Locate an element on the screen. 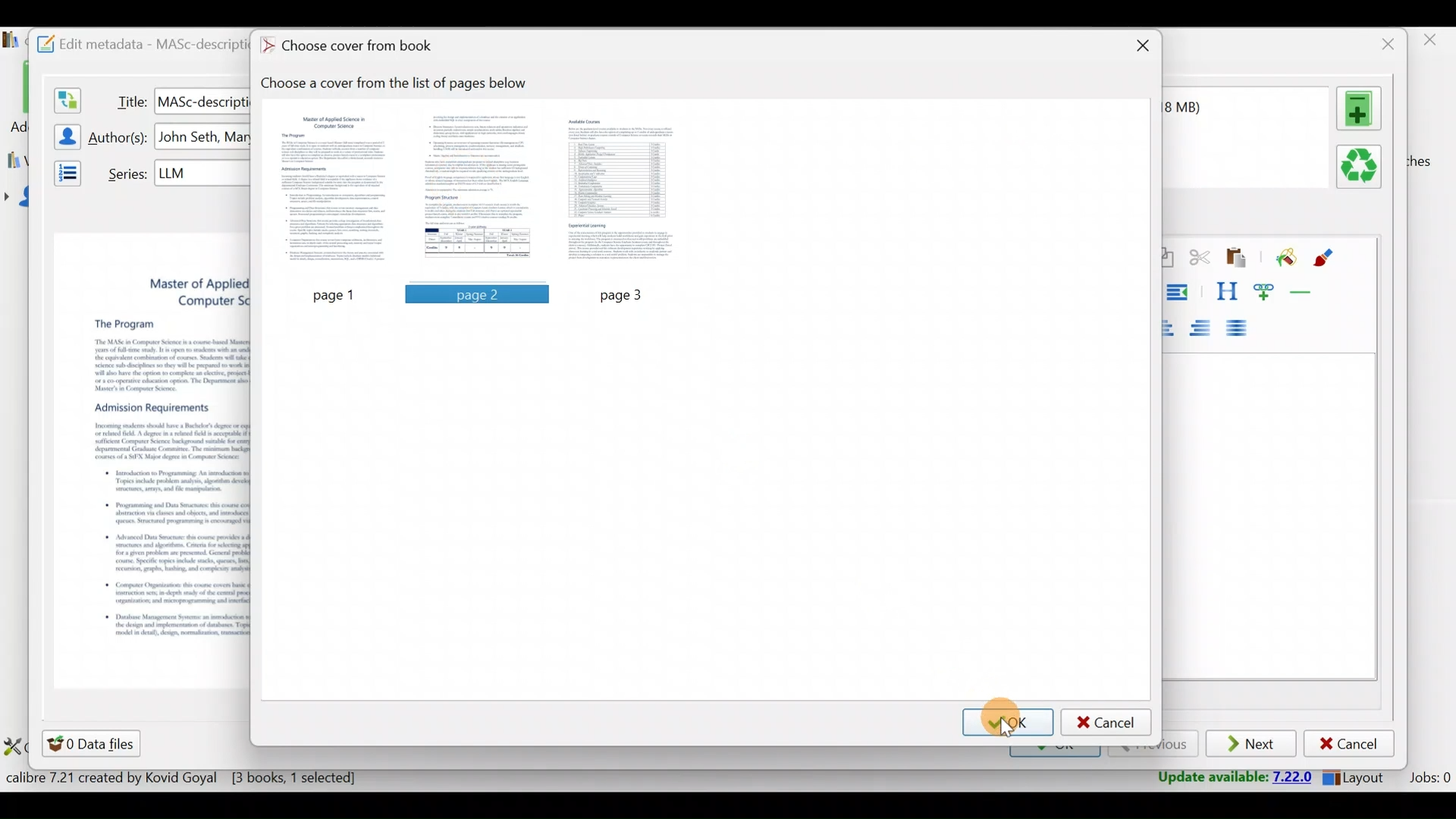 The image size is (1456, 819). Data files is located at coordinates (94, 743).